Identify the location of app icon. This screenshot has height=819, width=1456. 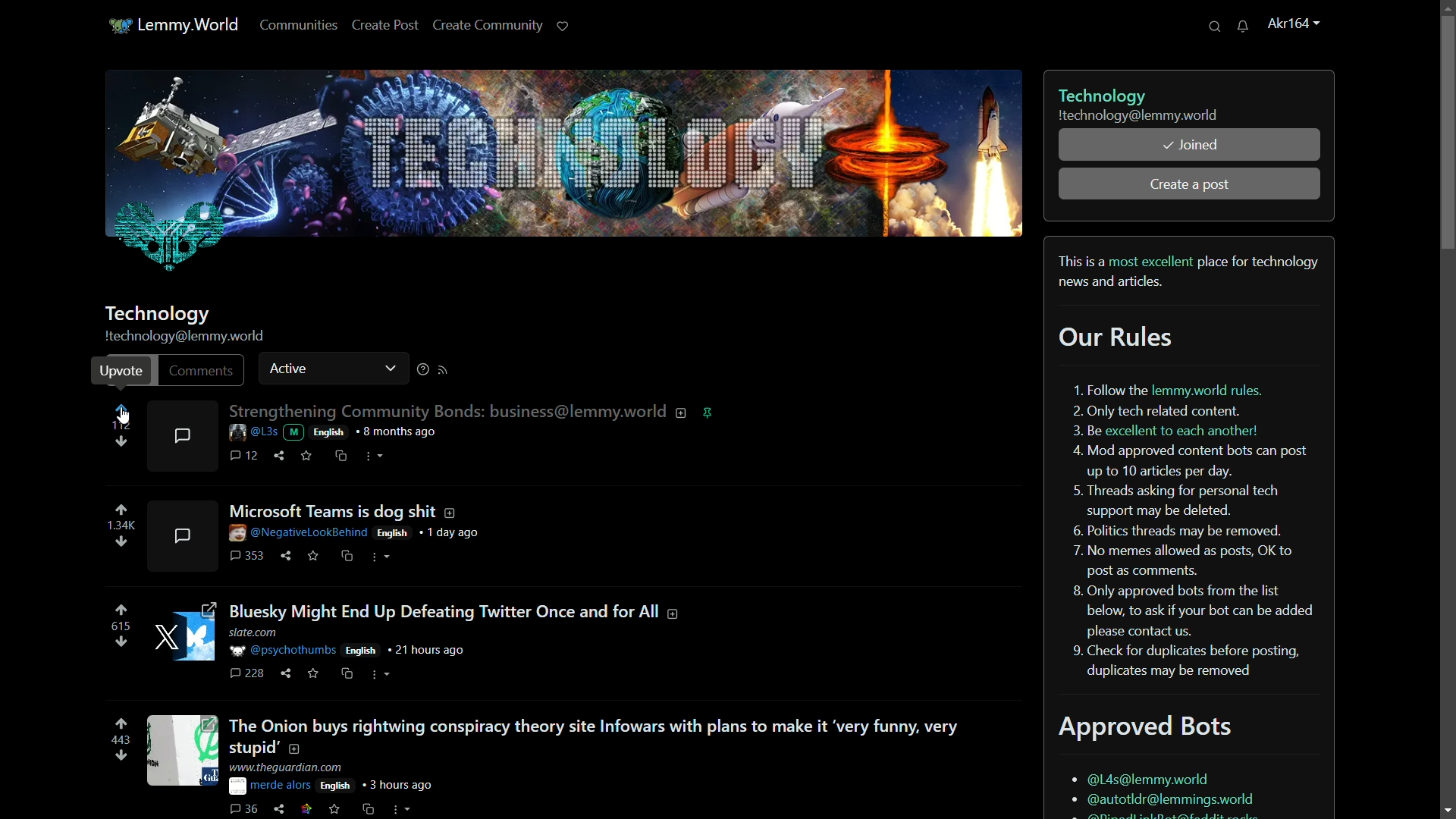
(119, 27).